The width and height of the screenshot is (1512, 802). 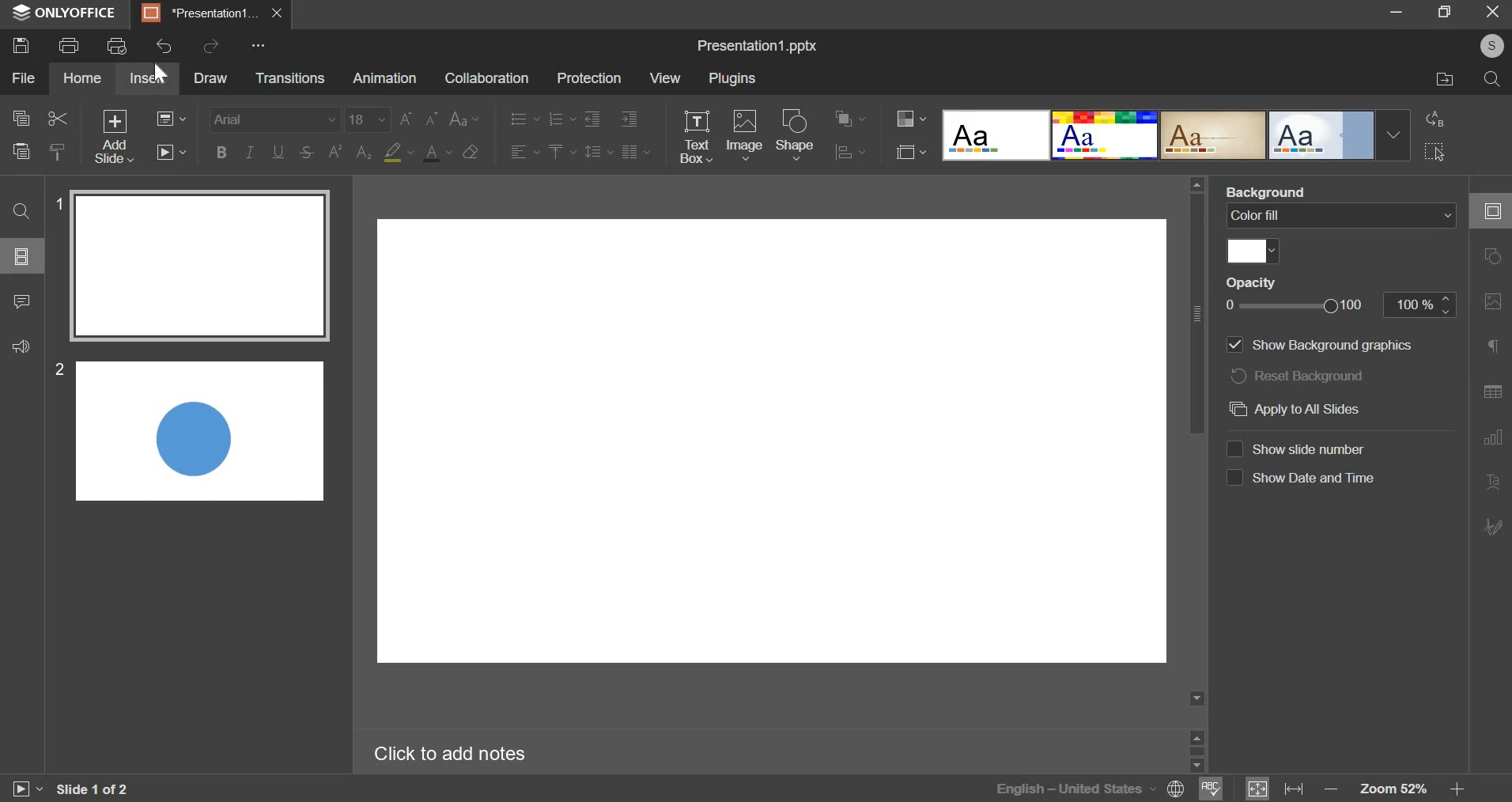 What do you see at coordinates (637, 152) in the screenshot?
I see `insert column` at bounding box center [637, 152].